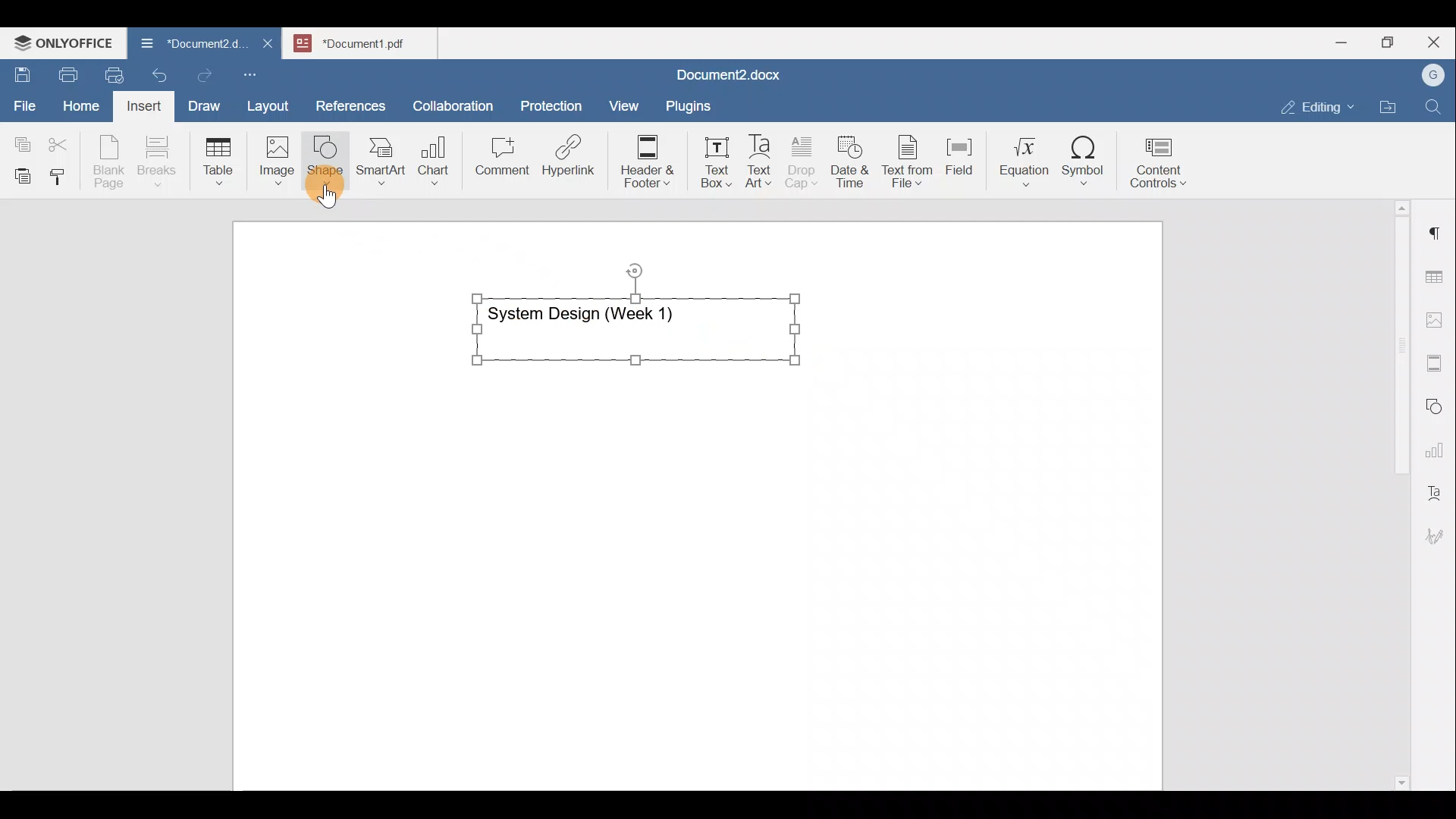  What do you see at coordinates (1439, 531) in the screenshot?
I see `Signature settings` at bounding box center [1439, 531].